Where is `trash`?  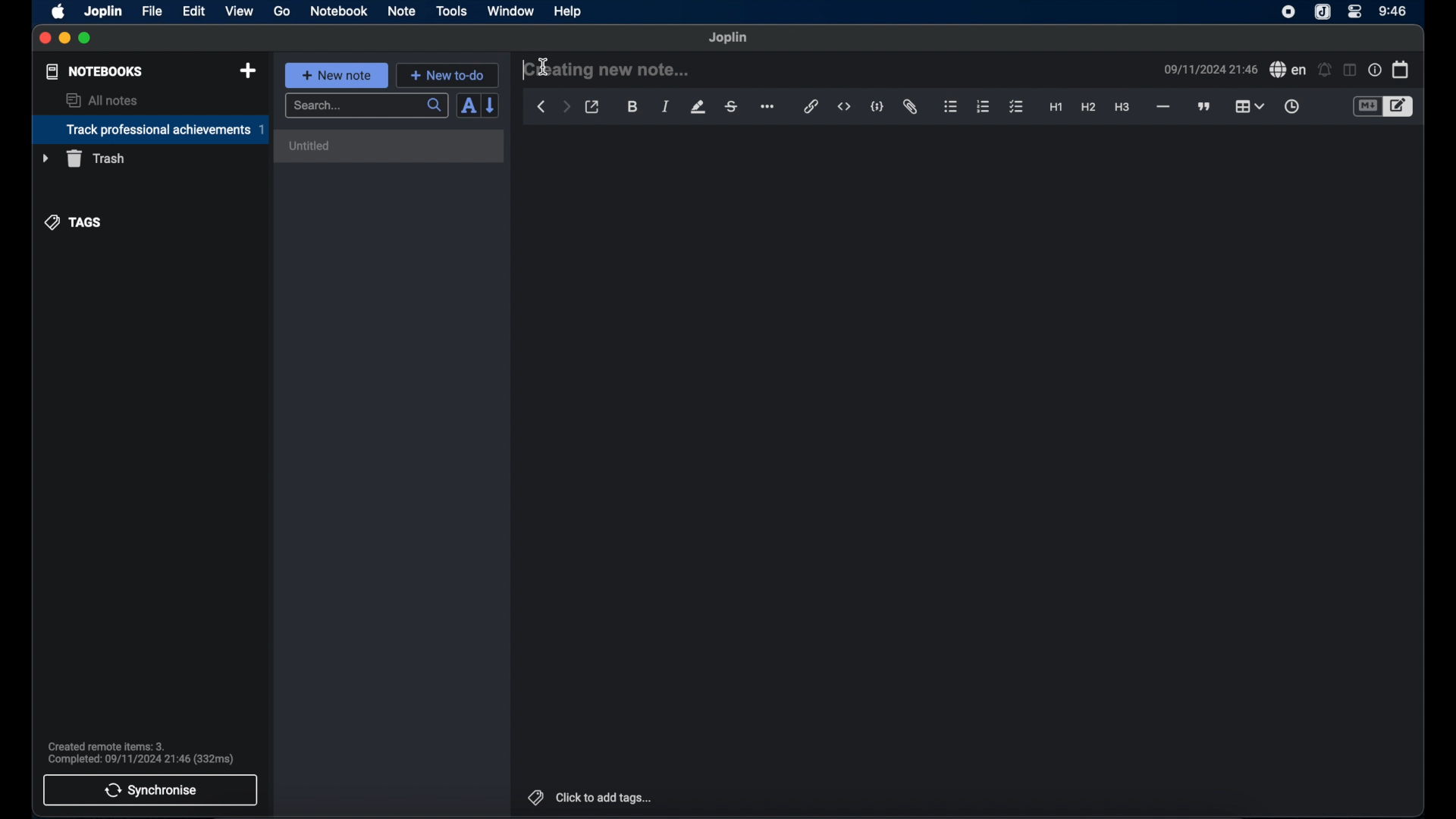 trash is located at coordinates (83, 158).